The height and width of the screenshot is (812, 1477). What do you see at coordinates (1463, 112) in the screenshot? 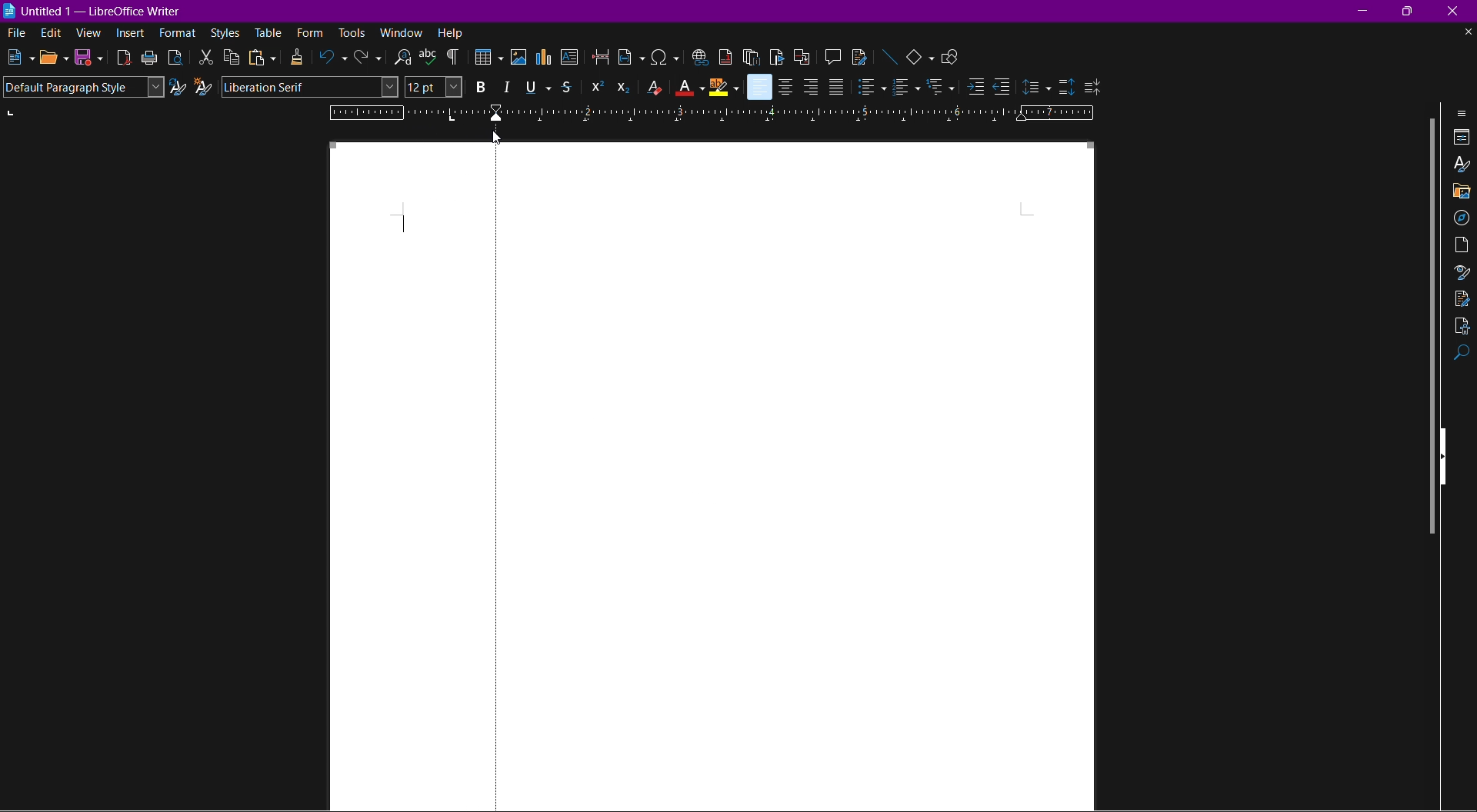
I see `Sidebar properties` at bounding box center [1463, 112].